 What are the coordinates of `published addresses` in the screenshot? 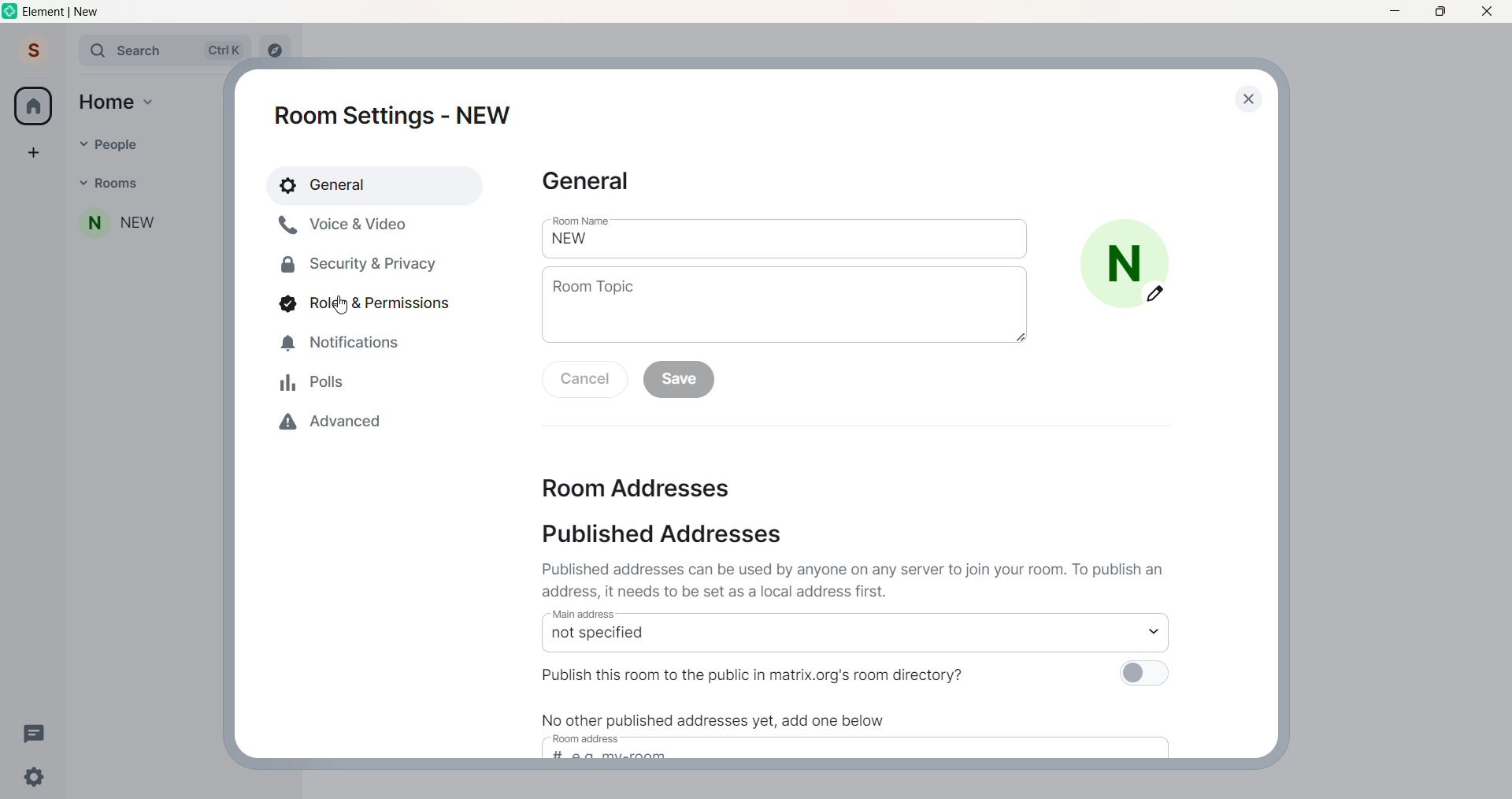 It's located at (658, 537).